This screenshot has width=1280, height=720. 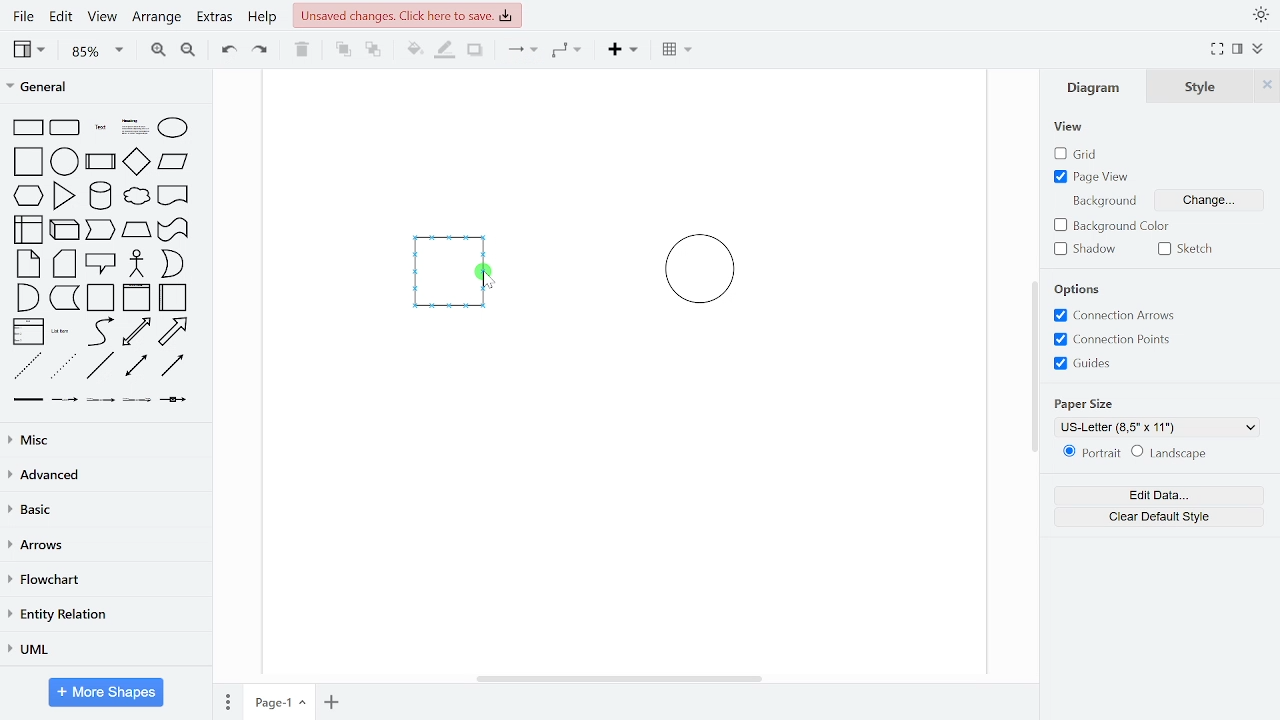 What do you see at coordinates (522, 51) in the screenshot?
I see `connector` at bounding box center [522, 51].